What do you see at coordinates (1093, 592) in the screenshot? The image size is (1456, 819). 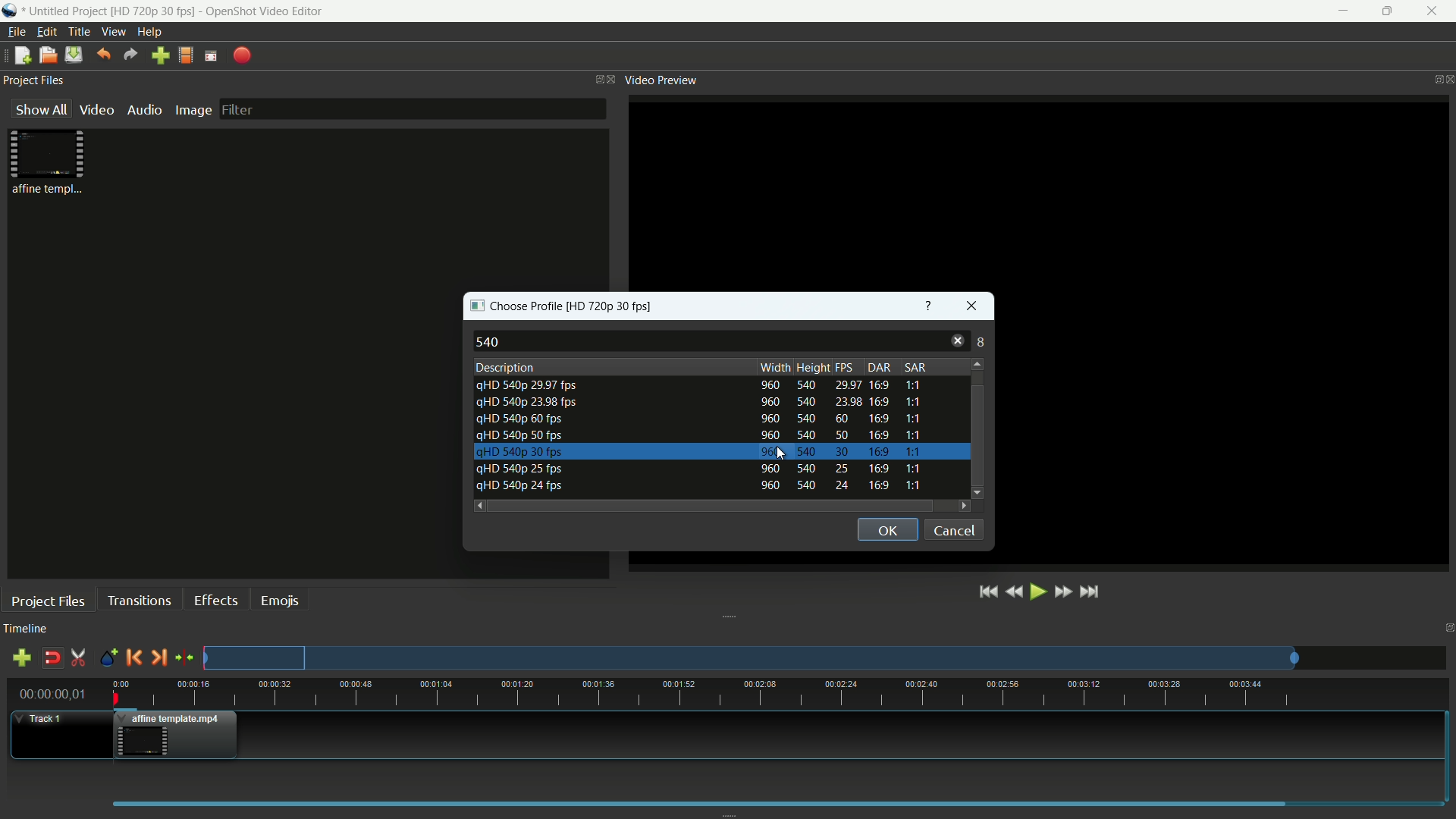 I see `jump to end` at bounding box center [1093, 592].